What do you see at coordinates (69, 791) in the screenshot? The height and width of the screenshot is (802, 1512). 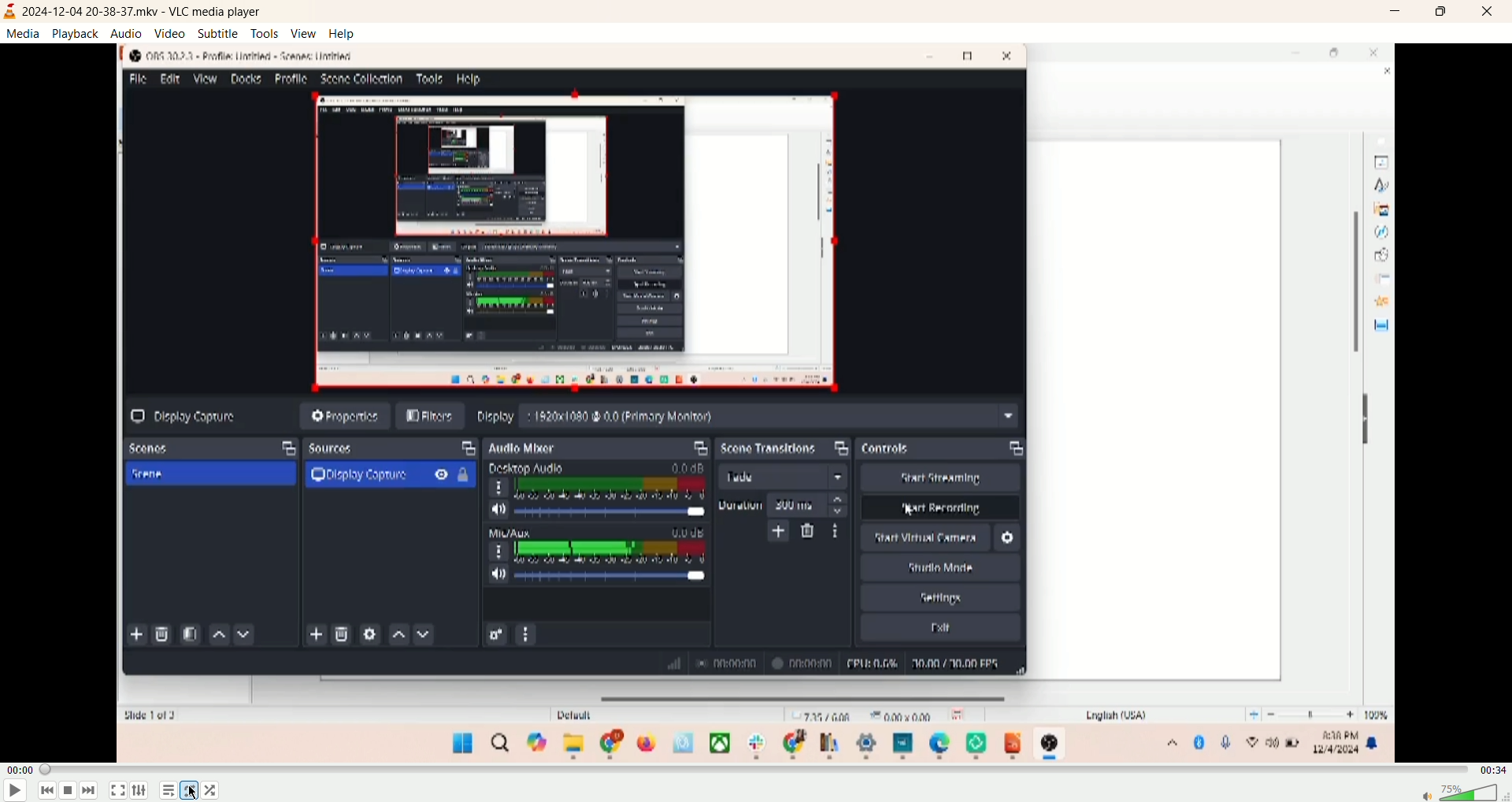 I see `stop` at bounding box center [69, 791].